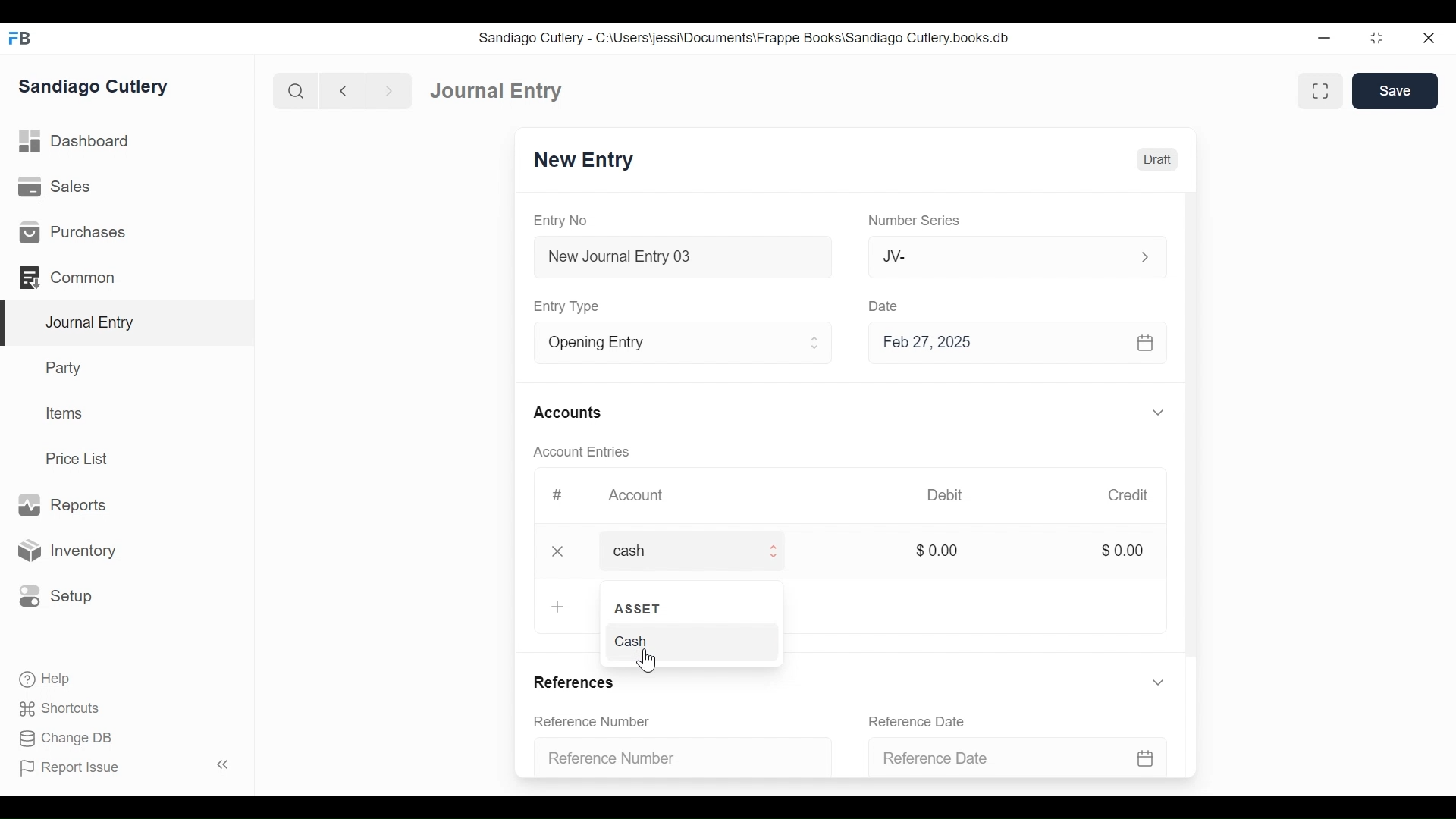  I want to click on Expand, so click(774, 551).